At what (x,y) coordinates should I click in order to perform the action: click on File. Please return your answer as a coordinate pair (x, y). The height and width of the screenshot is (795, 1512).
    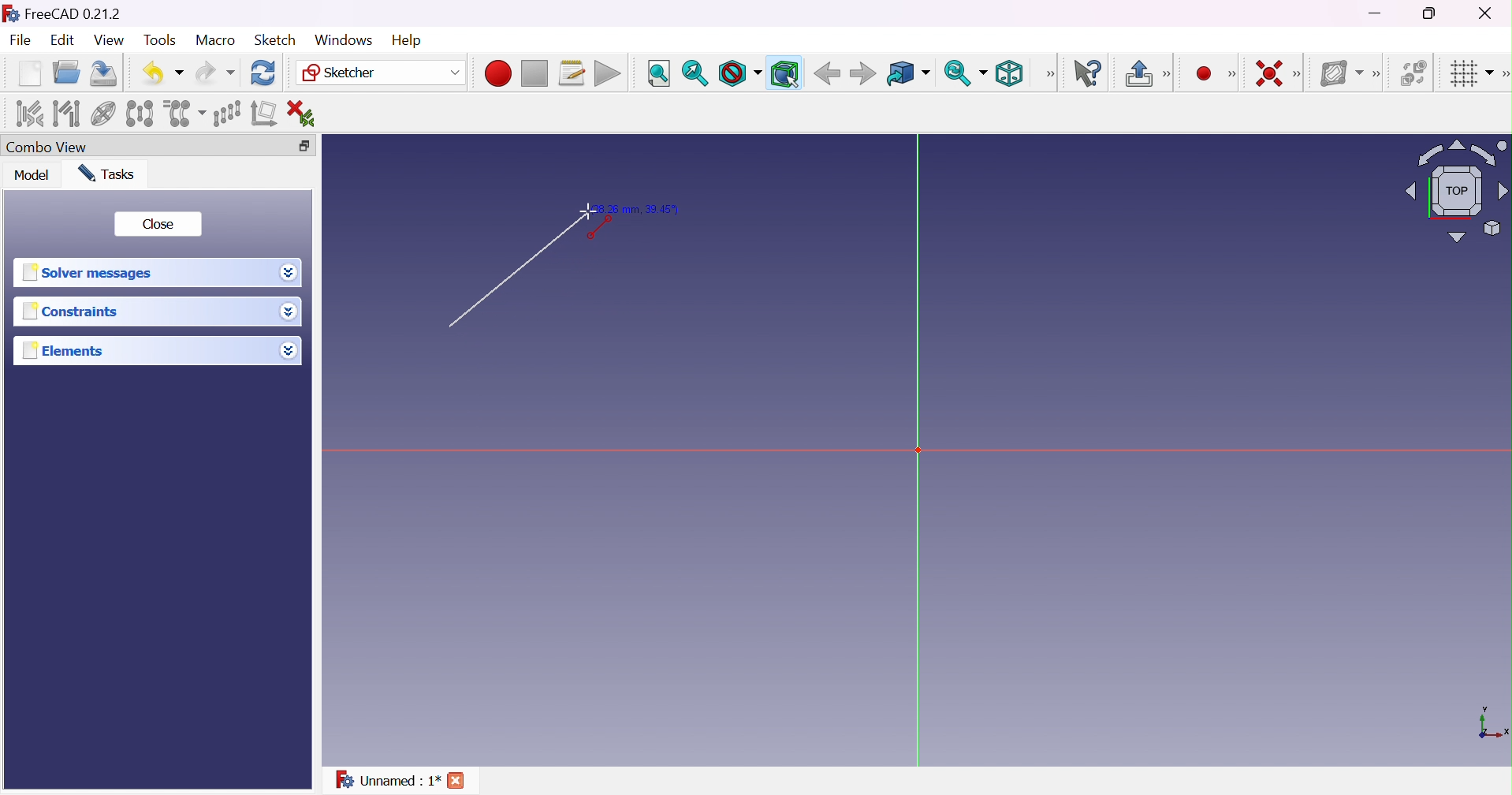
    Looking at the image, I should click on (21, 41).